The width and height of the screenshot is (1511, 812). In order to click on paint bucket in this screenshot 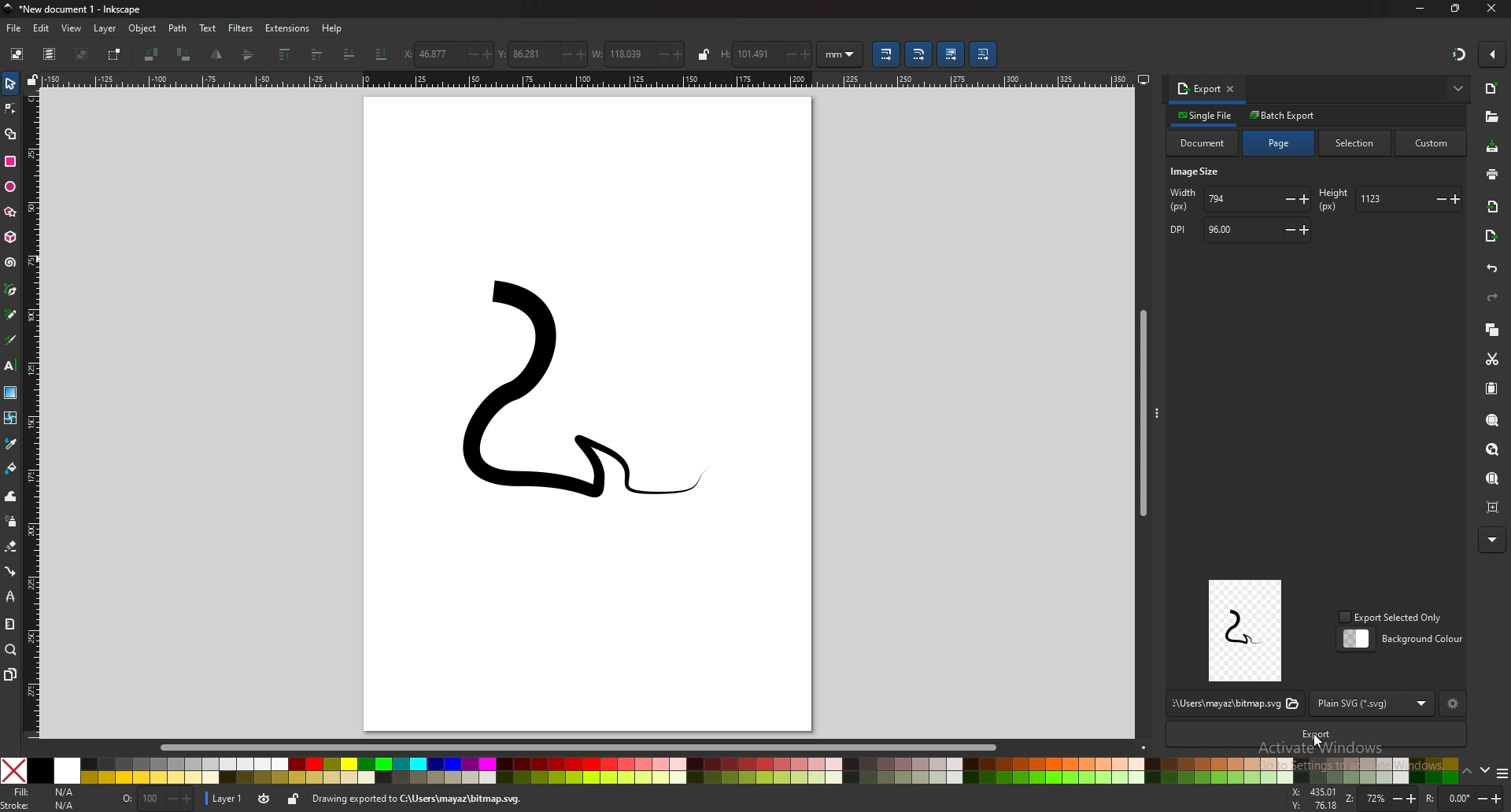, I will do `click(10, 468)`.